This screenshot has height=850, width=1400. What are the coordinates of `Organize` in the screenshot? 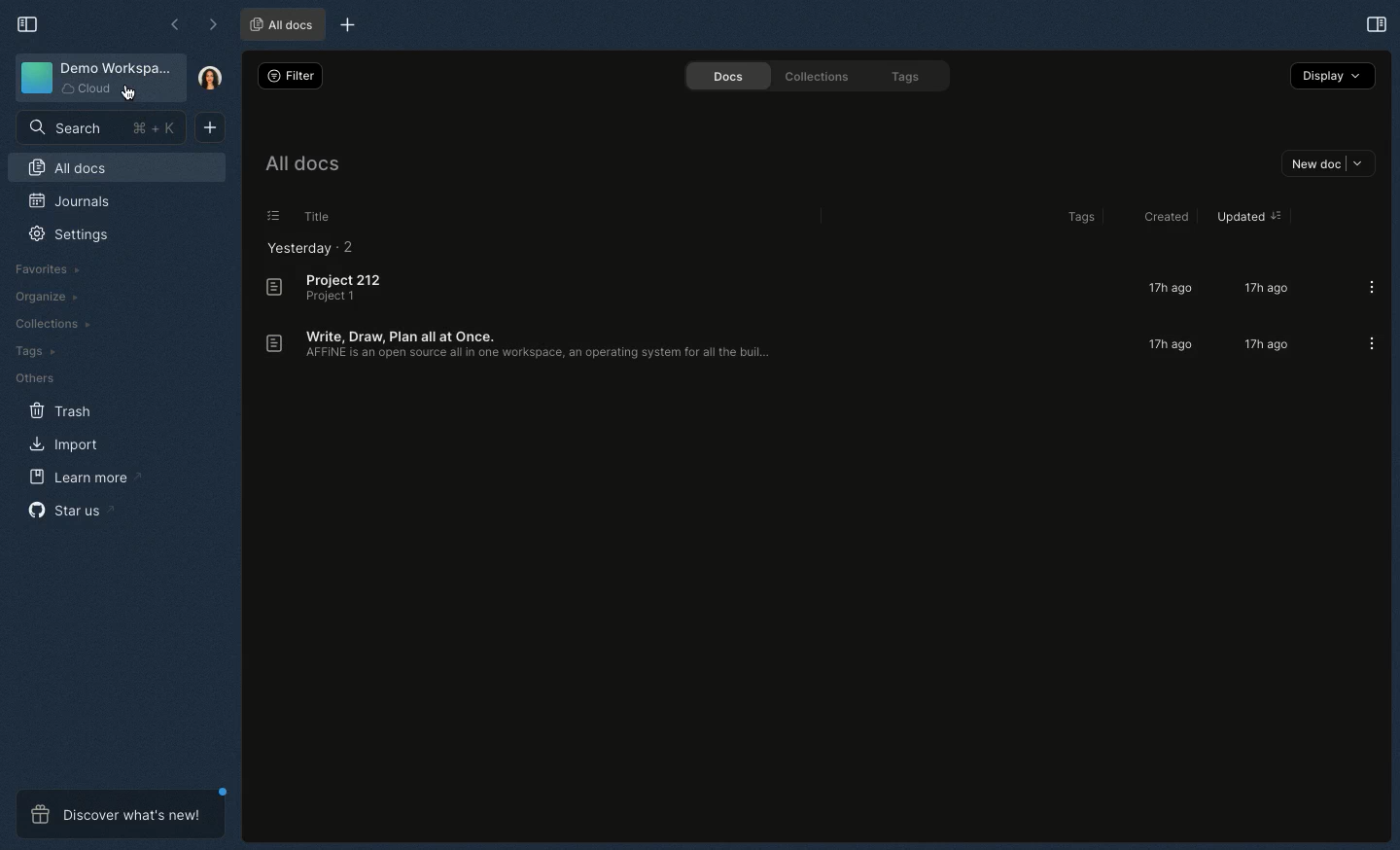 It's located at (45, 295).